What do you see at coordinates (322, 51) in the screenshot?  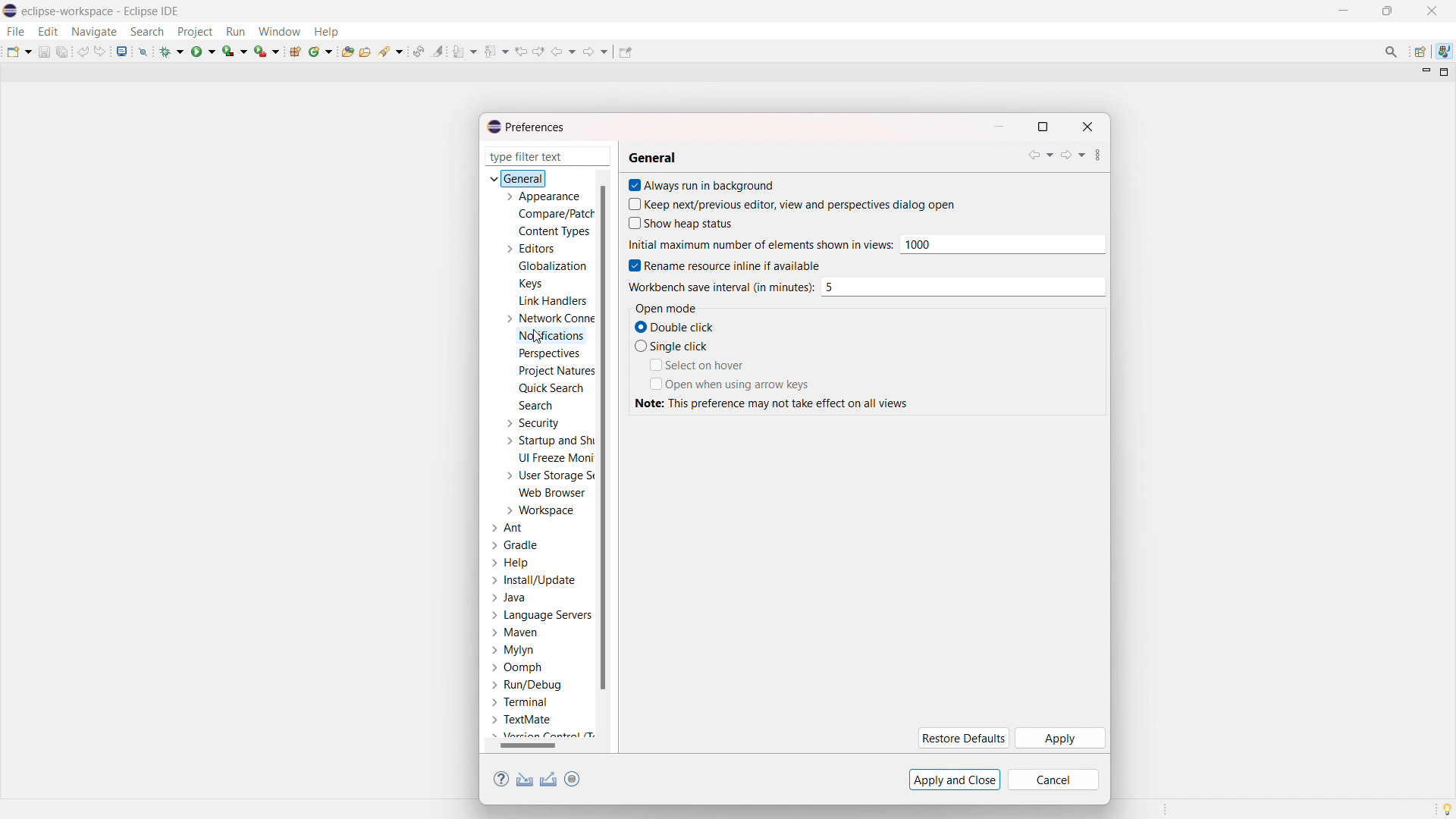 I see `new java class` at bounding box center [322, 51].